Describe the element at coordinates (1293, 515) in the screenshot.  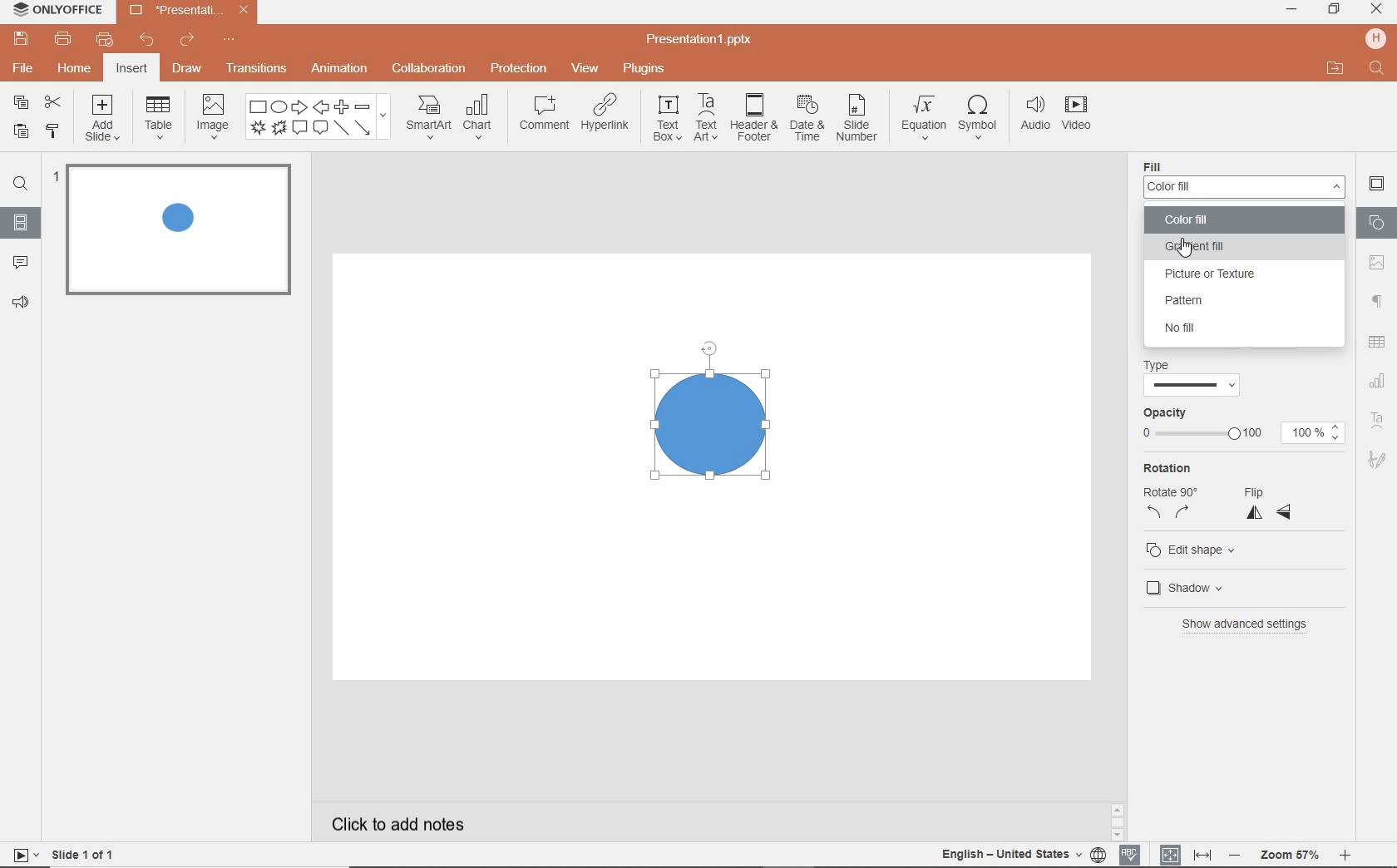
I see `horizontal` at that location.